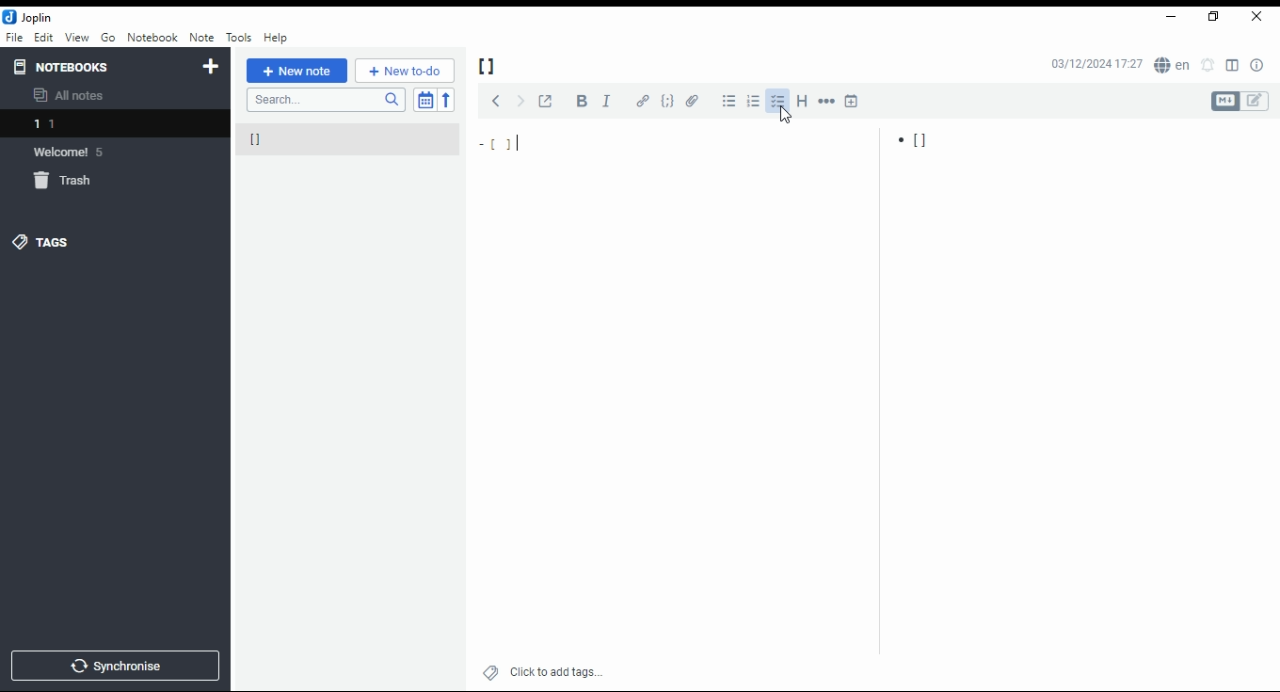 This screenshot has height=692, width=1280. I want to click on mouse pointer, so click(786, 116).